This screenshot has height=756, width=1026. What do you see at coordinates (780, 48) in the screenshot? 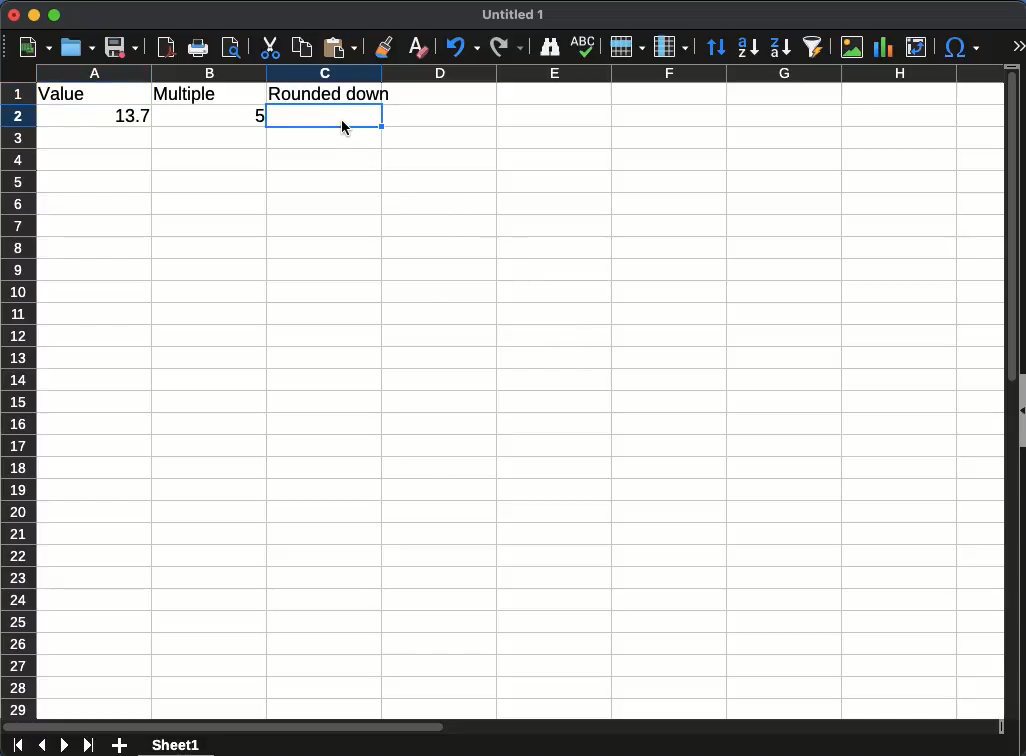
I see `descending` at bounding box center [780, 48].